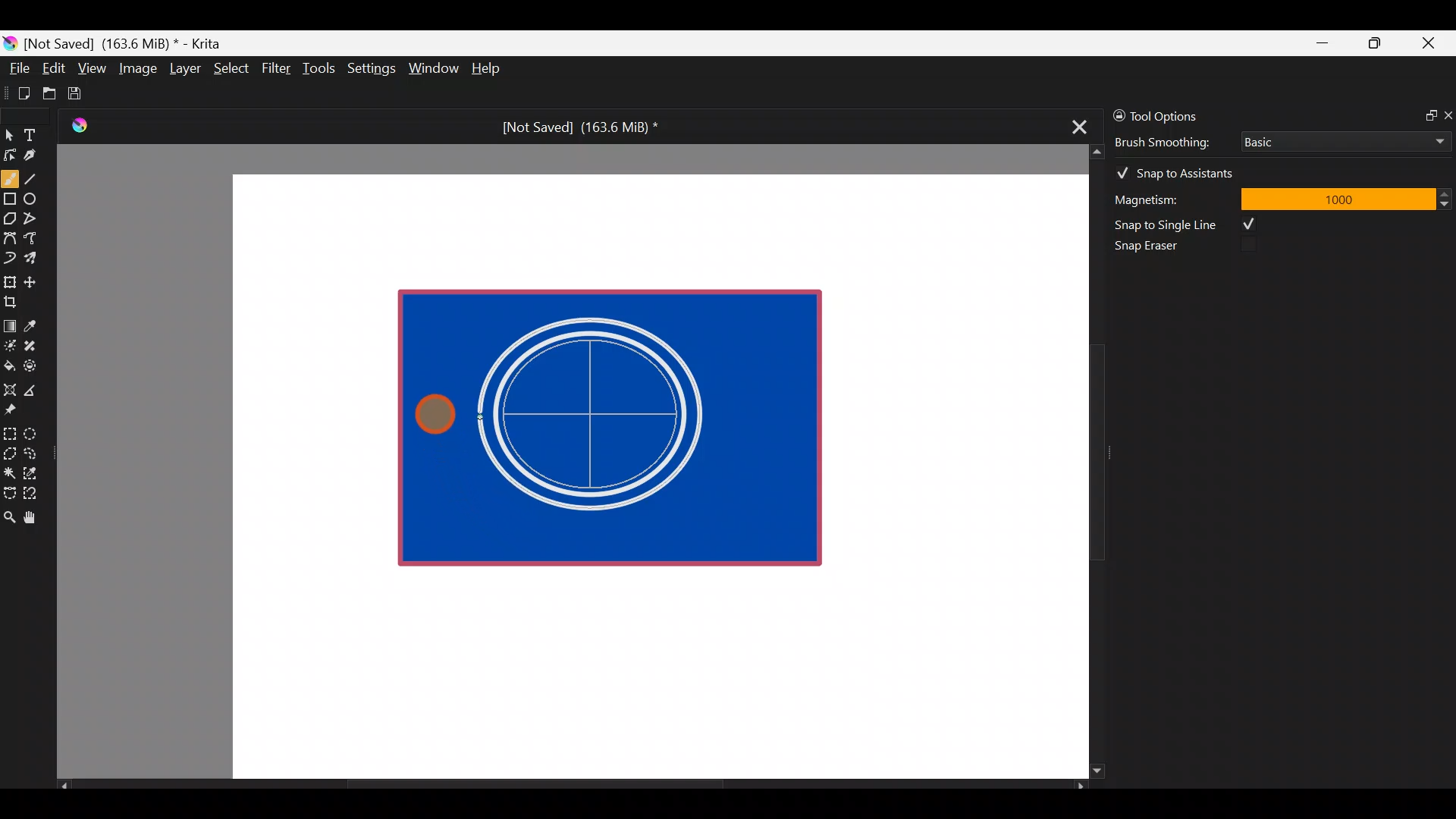  What do you see at coordinates (9, 362) in the screenshot?
I see `Fill a contiguous area of colour with colour/fill a selection` at bounding box center [9, 362].